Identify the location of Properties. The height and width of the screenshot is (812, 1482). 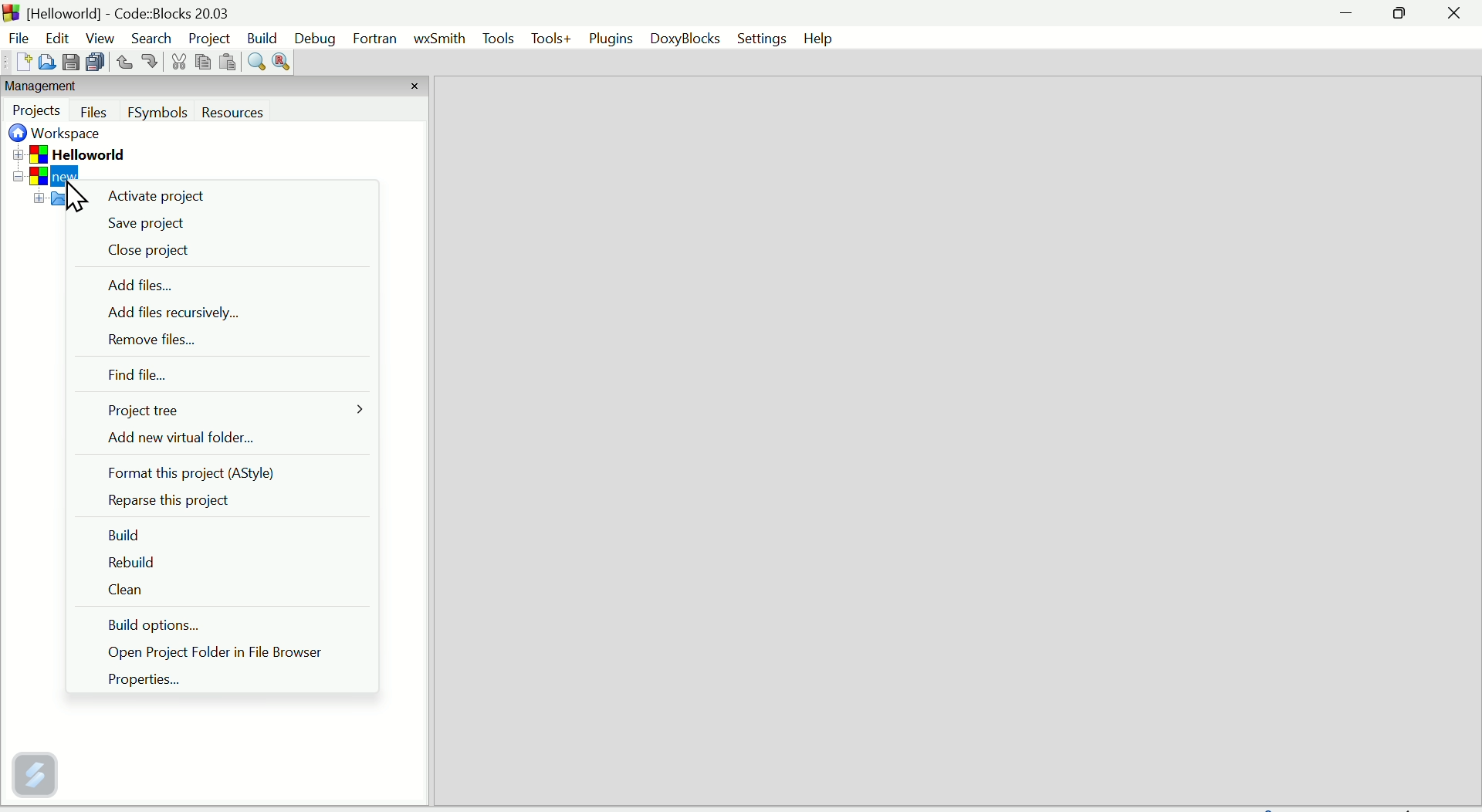
(144, 681).